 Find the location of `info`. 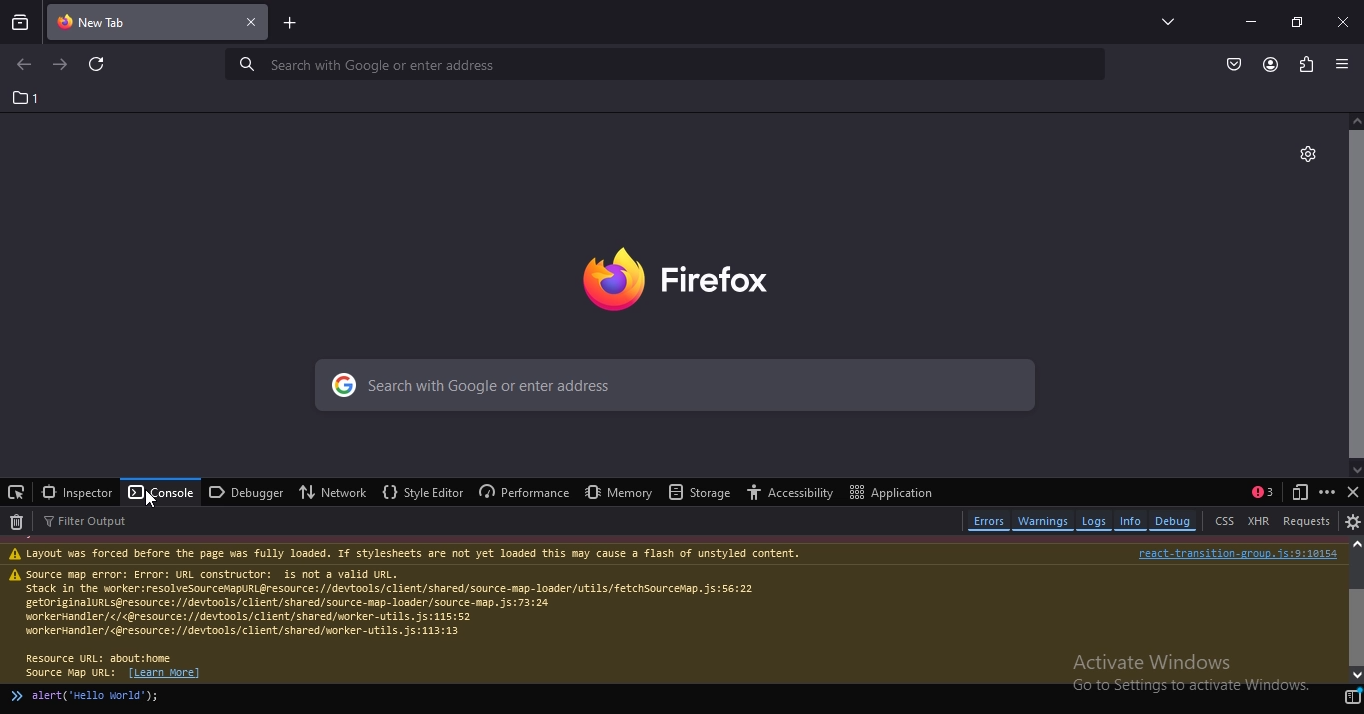

info is located at coordinates (1130, 521).